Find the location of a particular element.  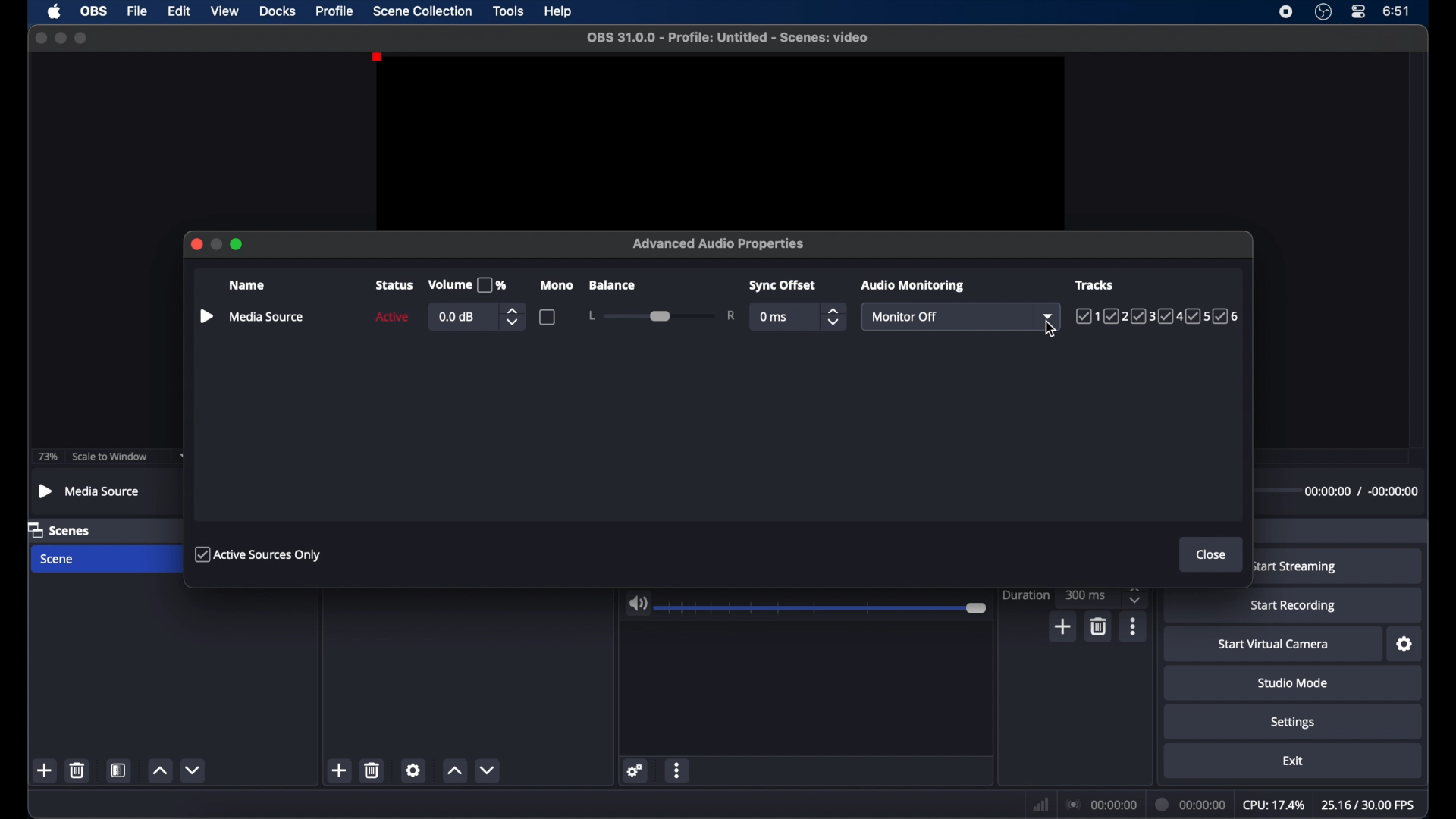

scenes is located at coordinates (60, 529).